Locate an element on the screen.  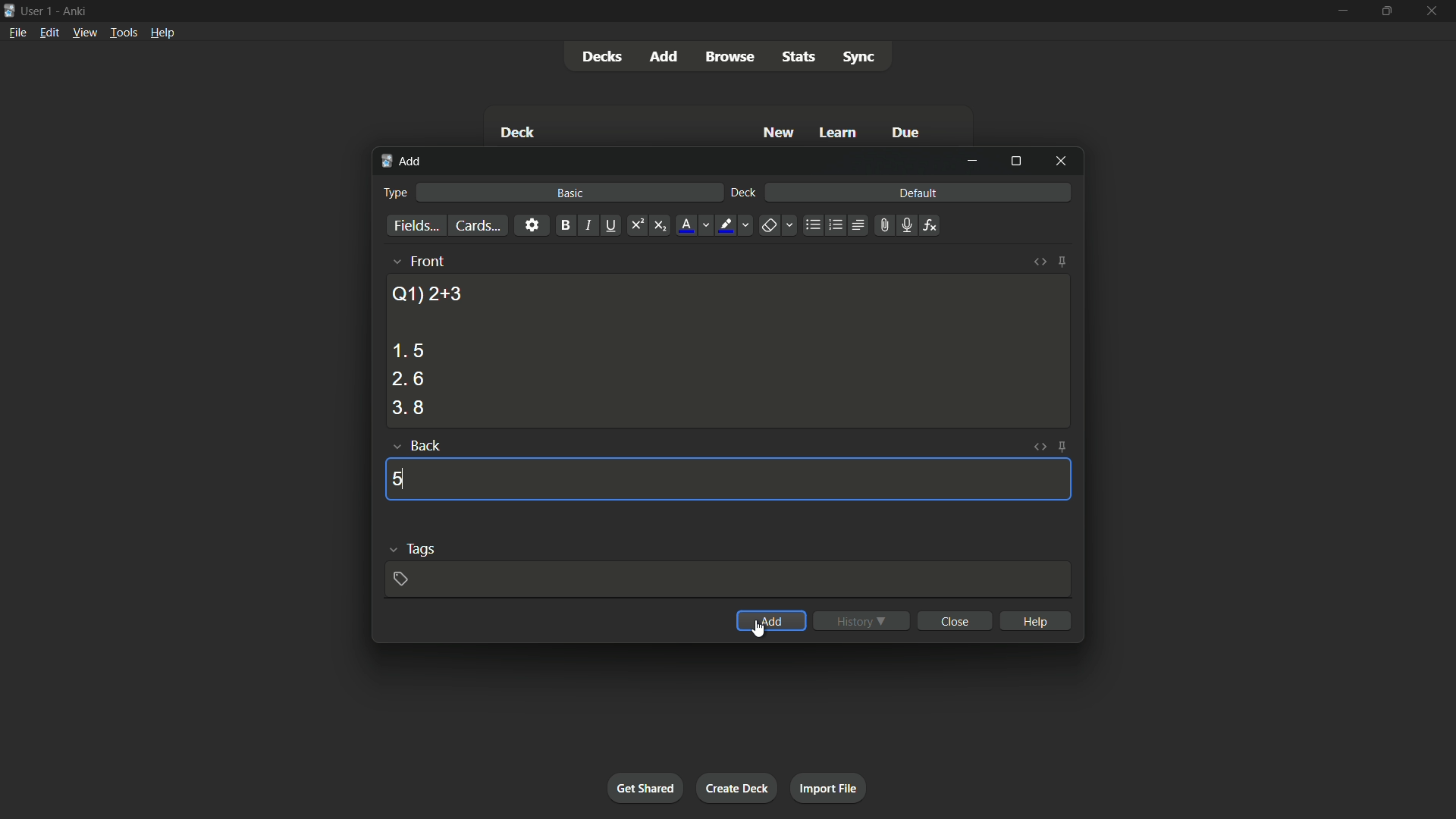
default is located at coordinates (918, 192).